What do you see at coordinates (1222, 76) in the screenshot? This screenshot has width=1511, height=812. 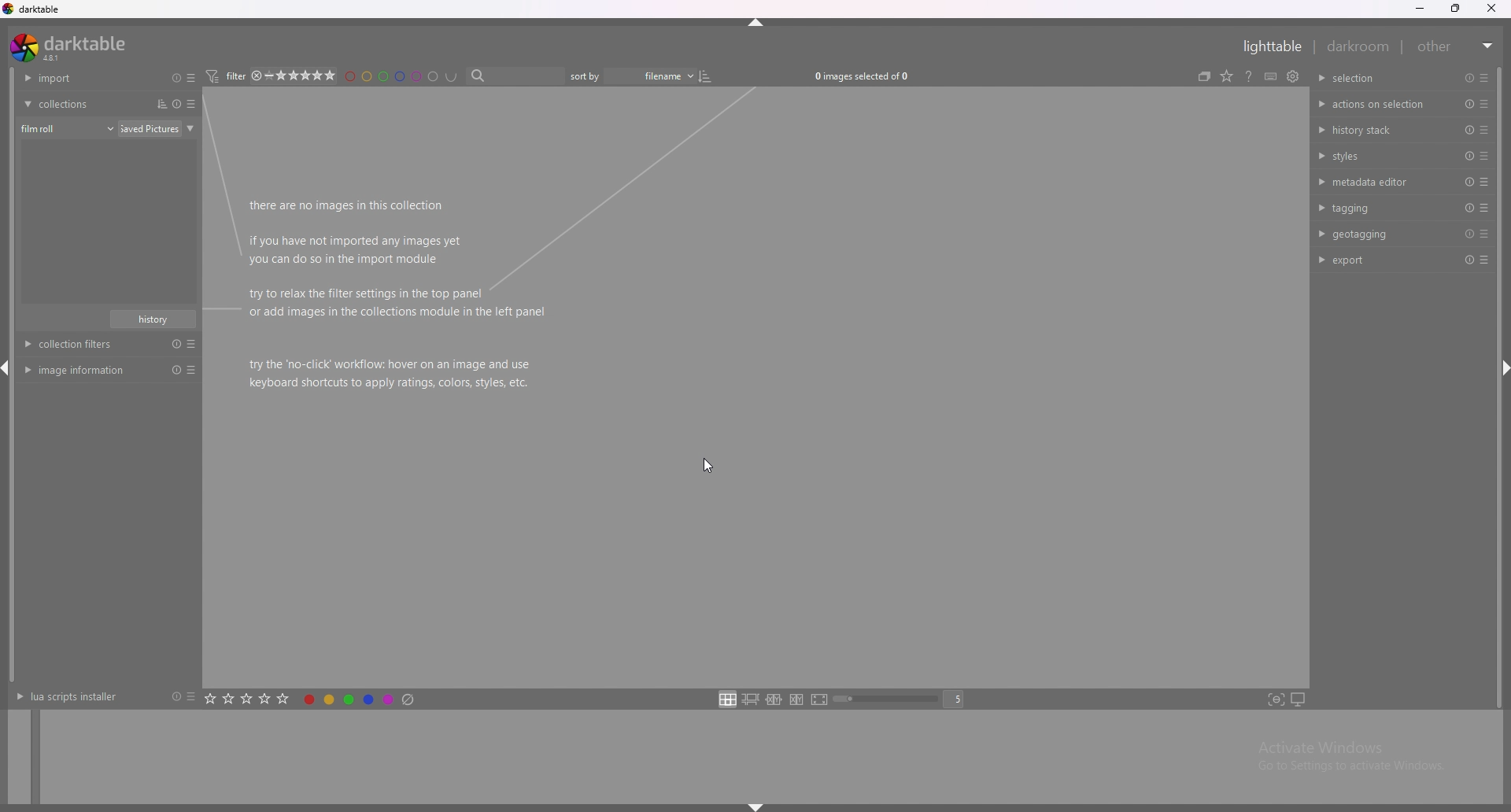 I see `collapse grouped images` at bounding box center [1222, 76].